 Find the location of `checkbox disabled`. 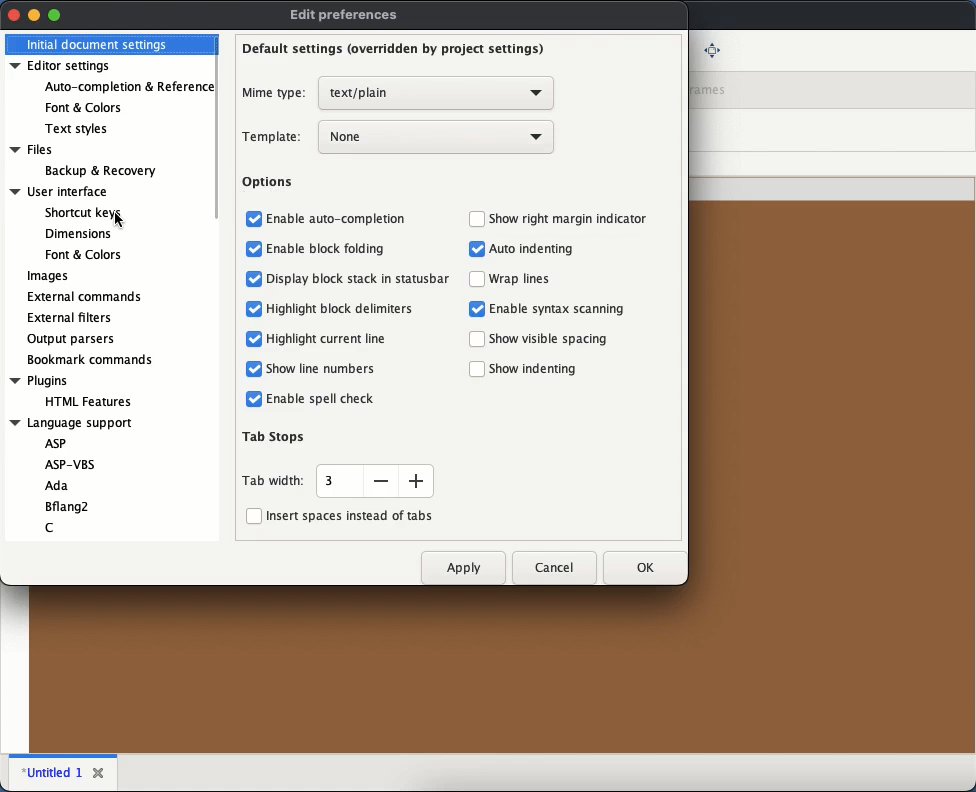

checkbox disabled is located at coordinates (478, 339).